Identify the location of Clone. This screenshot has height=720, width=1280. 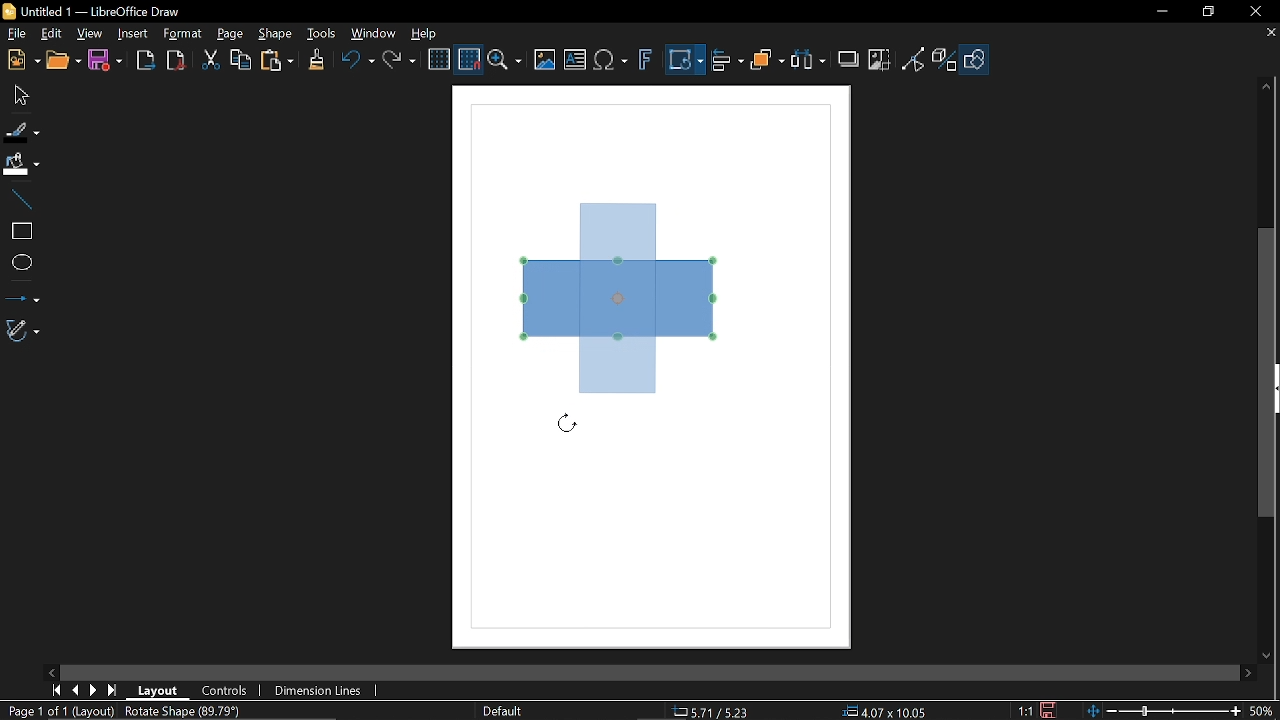
(316, 61).